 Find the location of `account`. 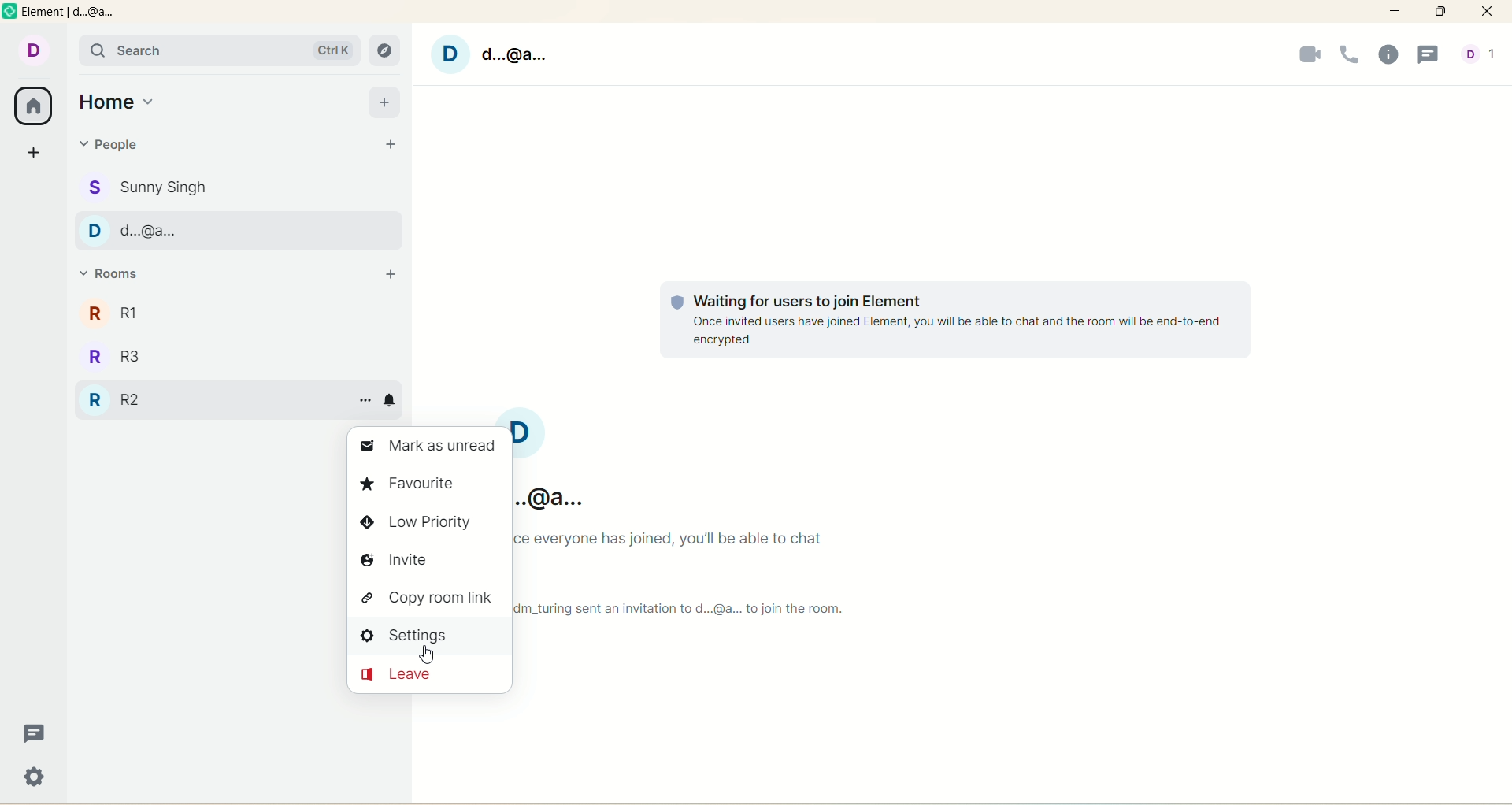

account is located at coordinates (573, 461).